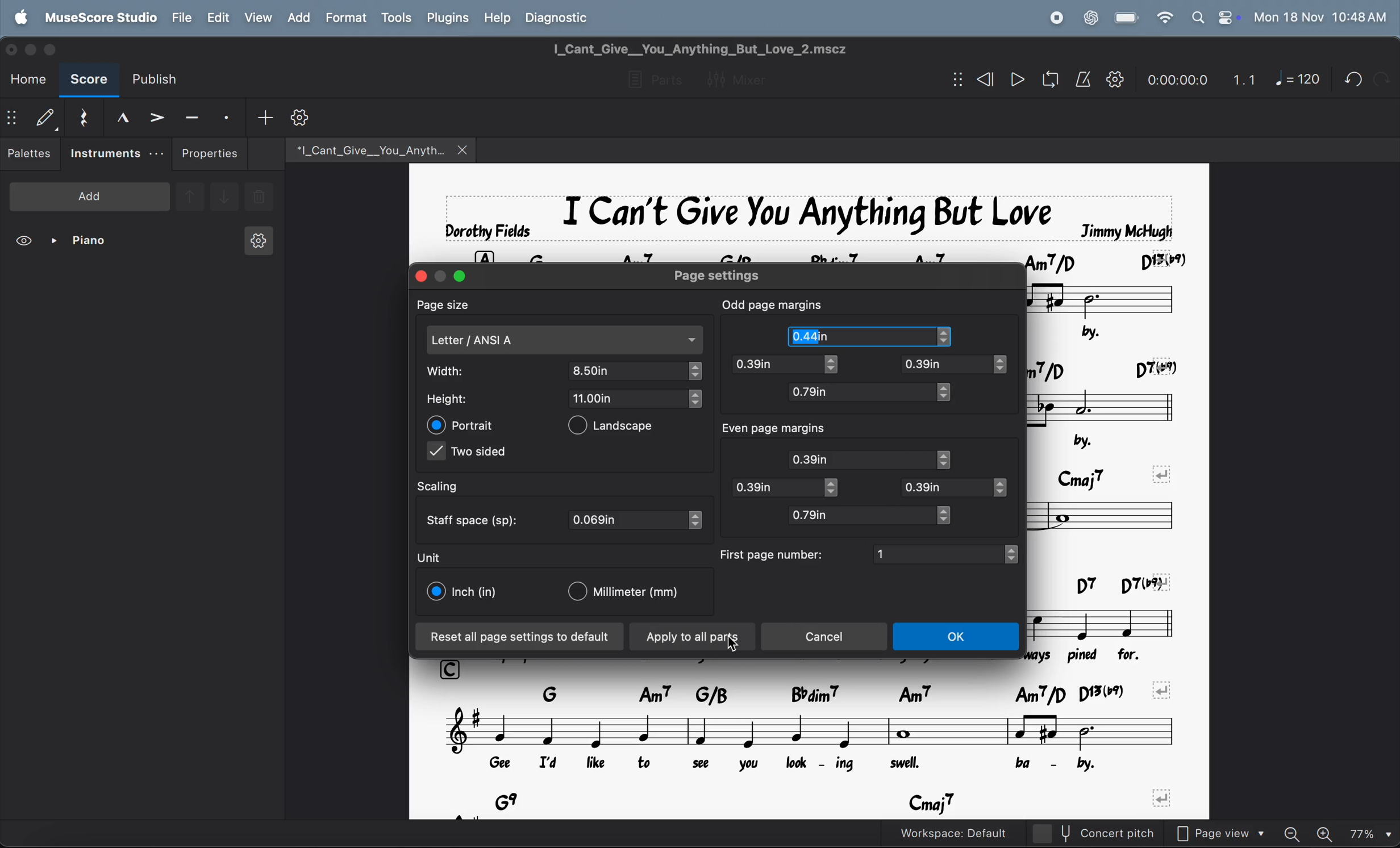 This screenshot has height=848, width=1400. What do you see at coordinates (774, 487) in the screenshot?
I see `0.39in` at bounding box center [774, 487].